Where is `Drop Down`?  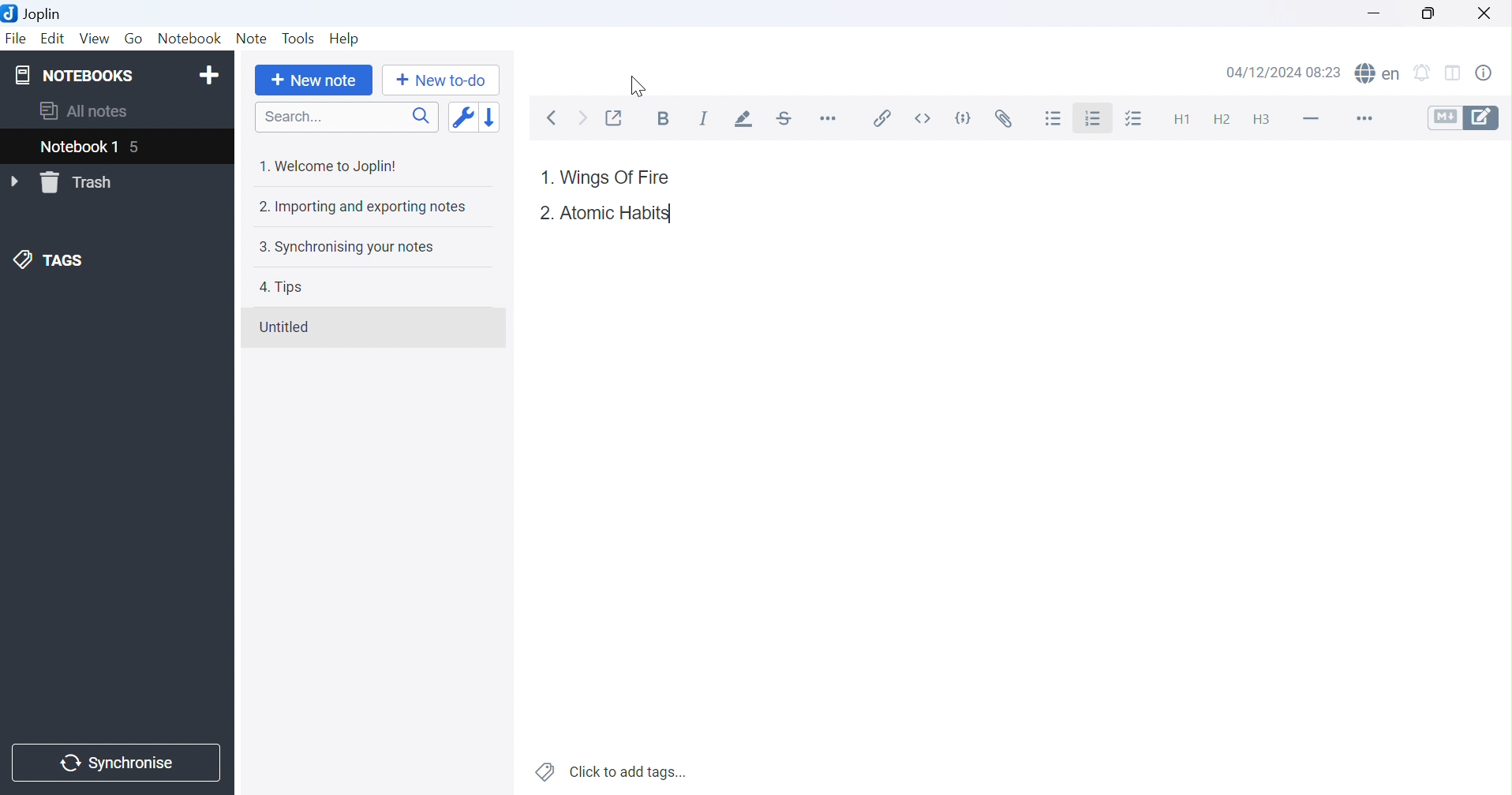 Drop Down is located at coordinates (16, 182).